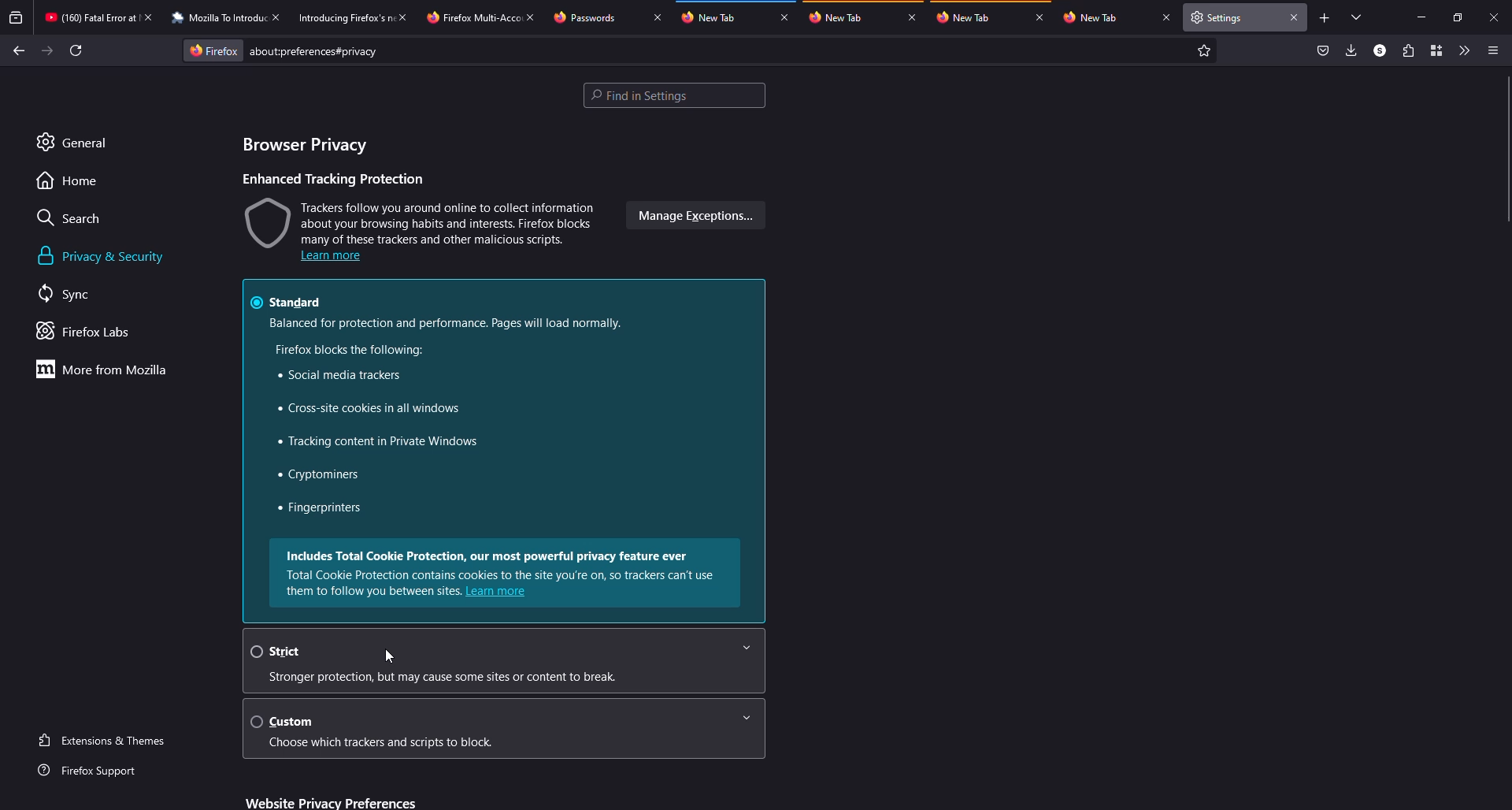 The height and width of the screenshot is (810, 1512). I want to click on save to pocket, so click(1324, 49).